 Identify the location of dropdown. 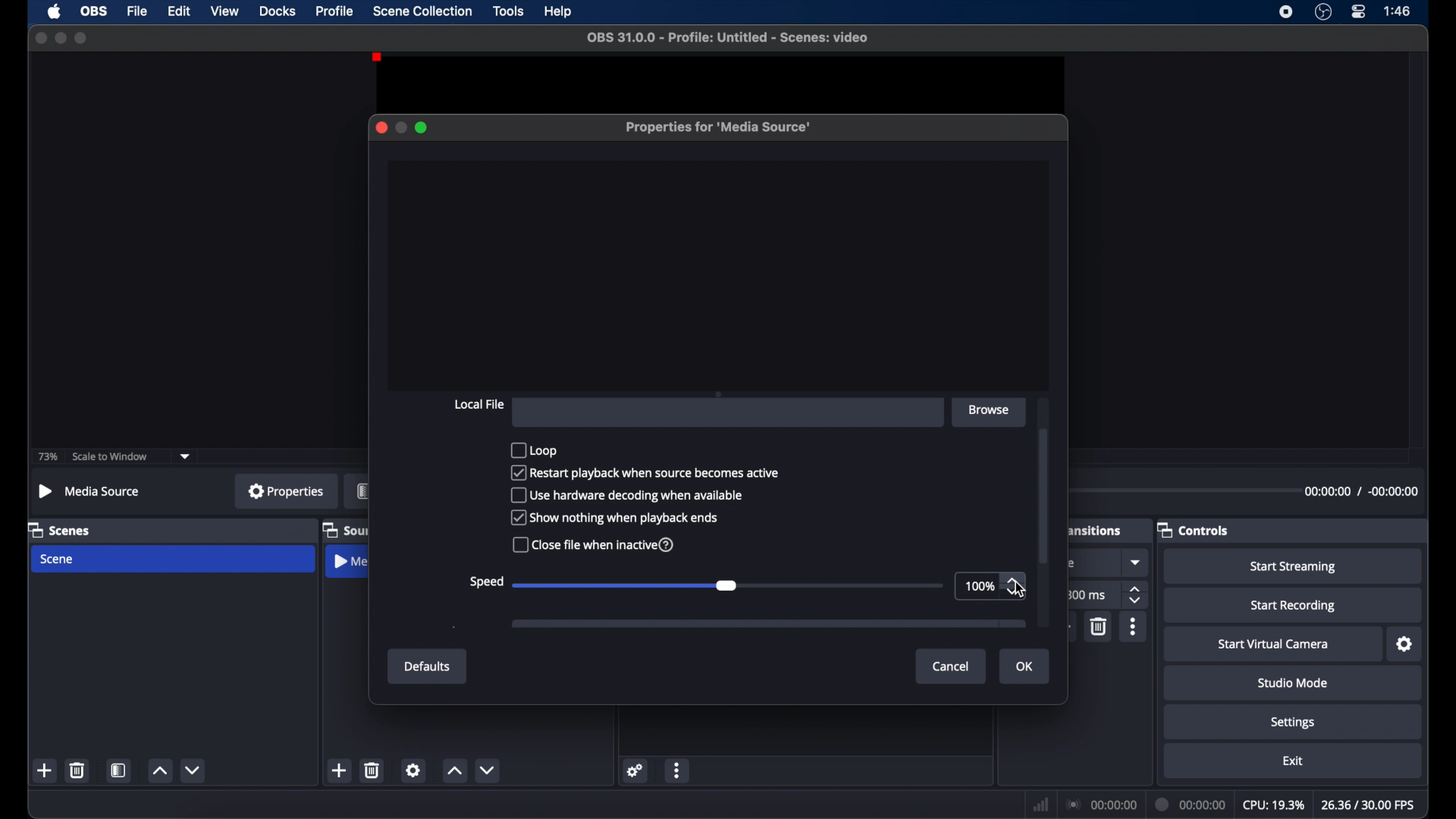
(1137, 562).